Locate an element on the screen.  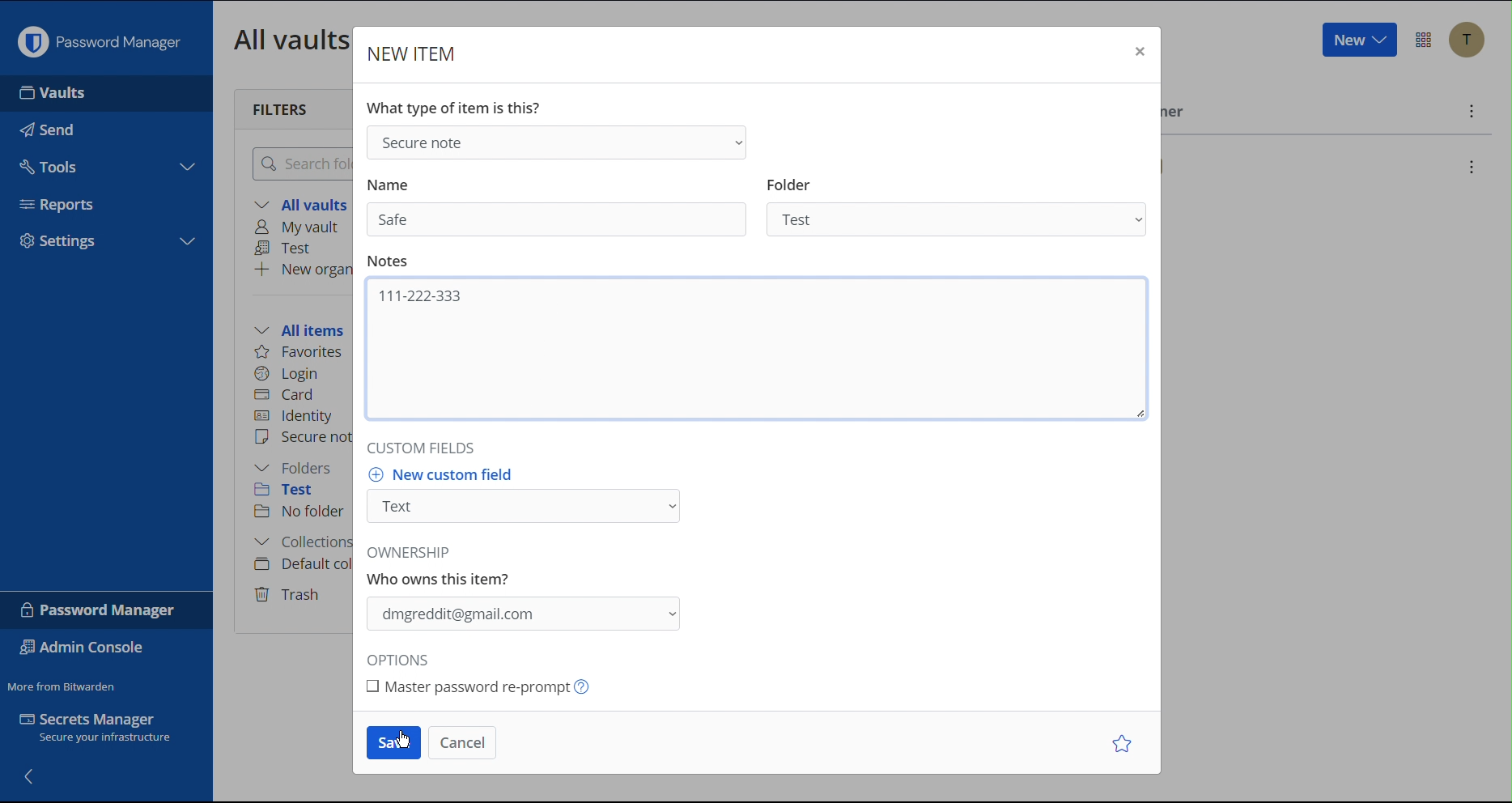
New is located at coordinates (1358, 40).